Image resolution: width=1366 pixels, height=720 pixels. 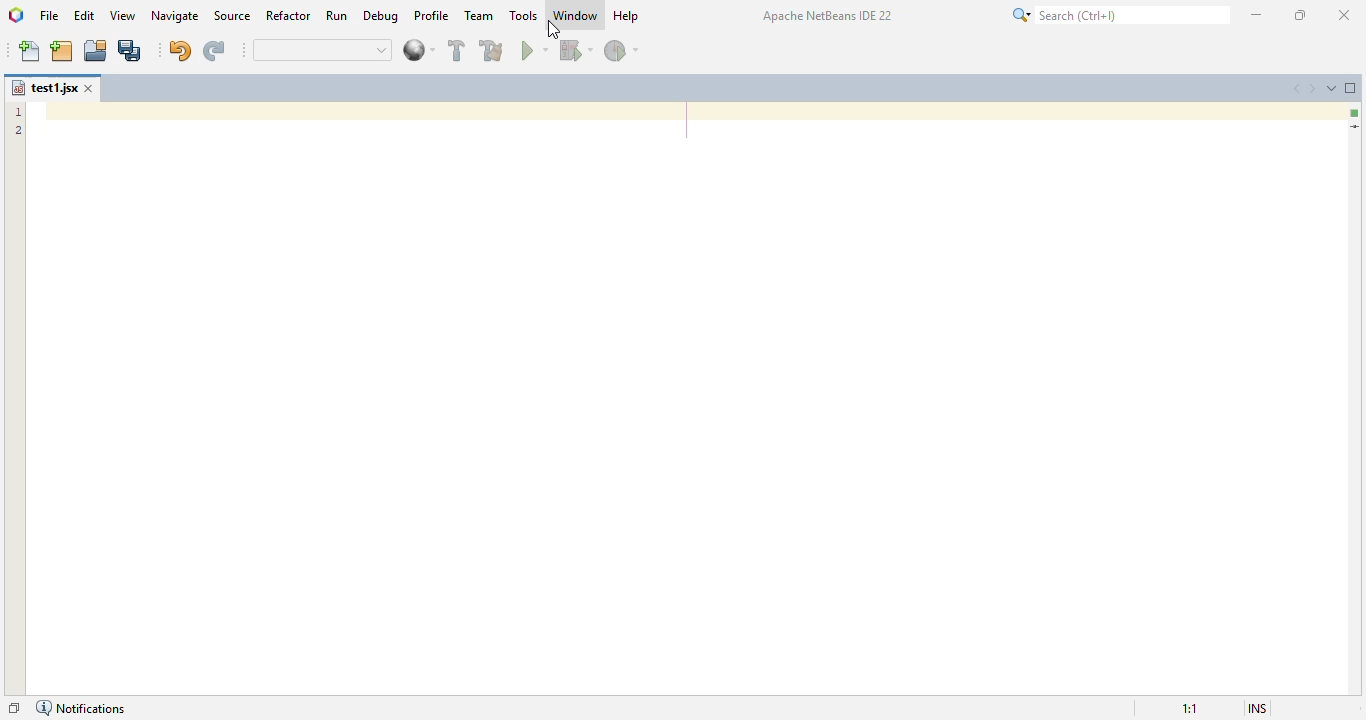 What do you see at coordinates (20, 131) in the screenshot?
I see `2` at bounding box center [20, 131].